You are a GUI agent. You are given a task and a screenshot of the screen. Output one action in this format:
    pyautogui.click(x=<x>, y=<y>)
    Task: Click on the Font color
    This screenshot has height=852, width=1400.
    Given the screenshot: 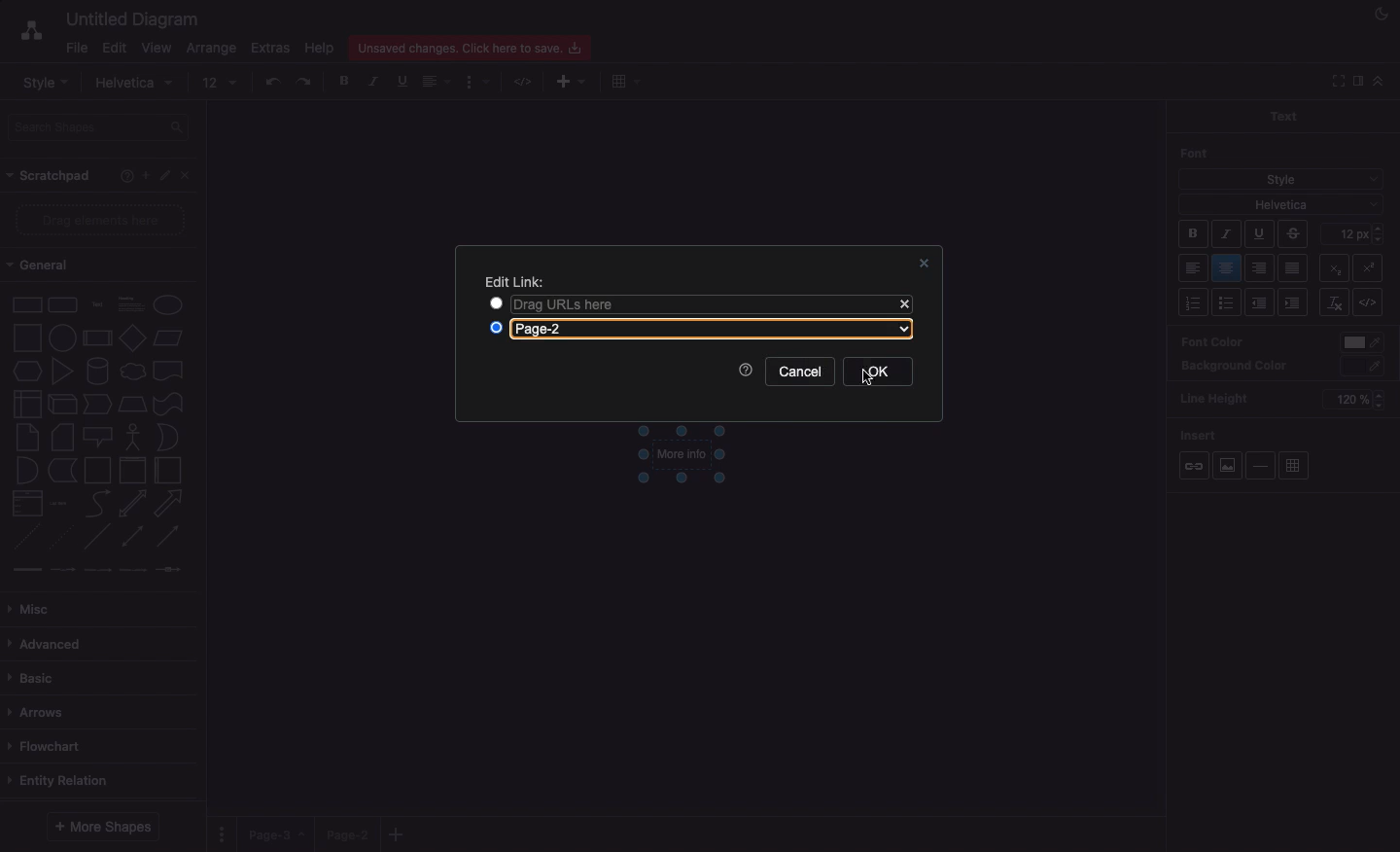 What is the action you would take?
    pyautogui.click(x=1211, y=340)
    